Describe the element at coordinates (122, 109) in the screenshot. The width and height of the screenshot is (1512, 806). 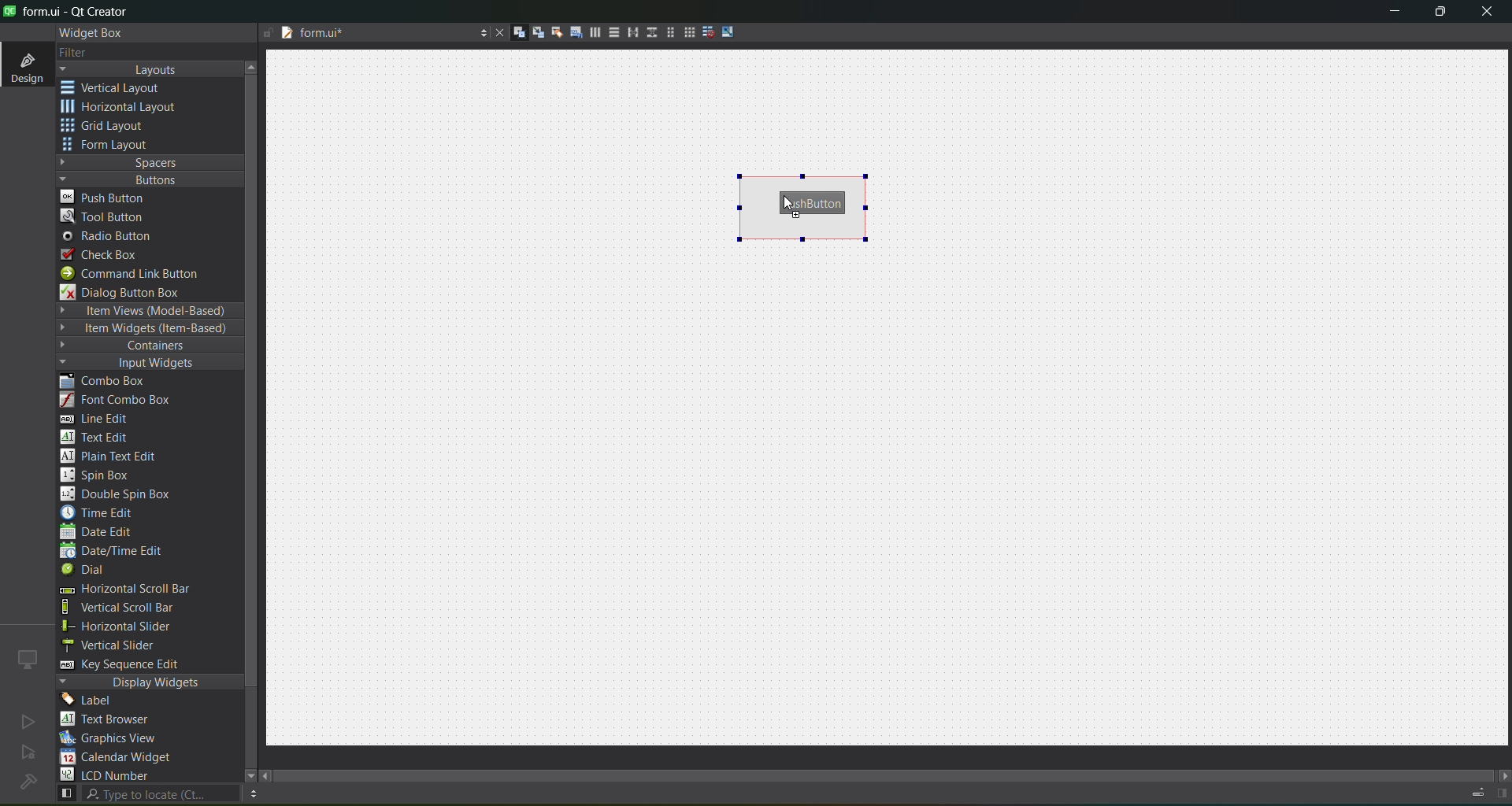
I see `horizontal` at that location.